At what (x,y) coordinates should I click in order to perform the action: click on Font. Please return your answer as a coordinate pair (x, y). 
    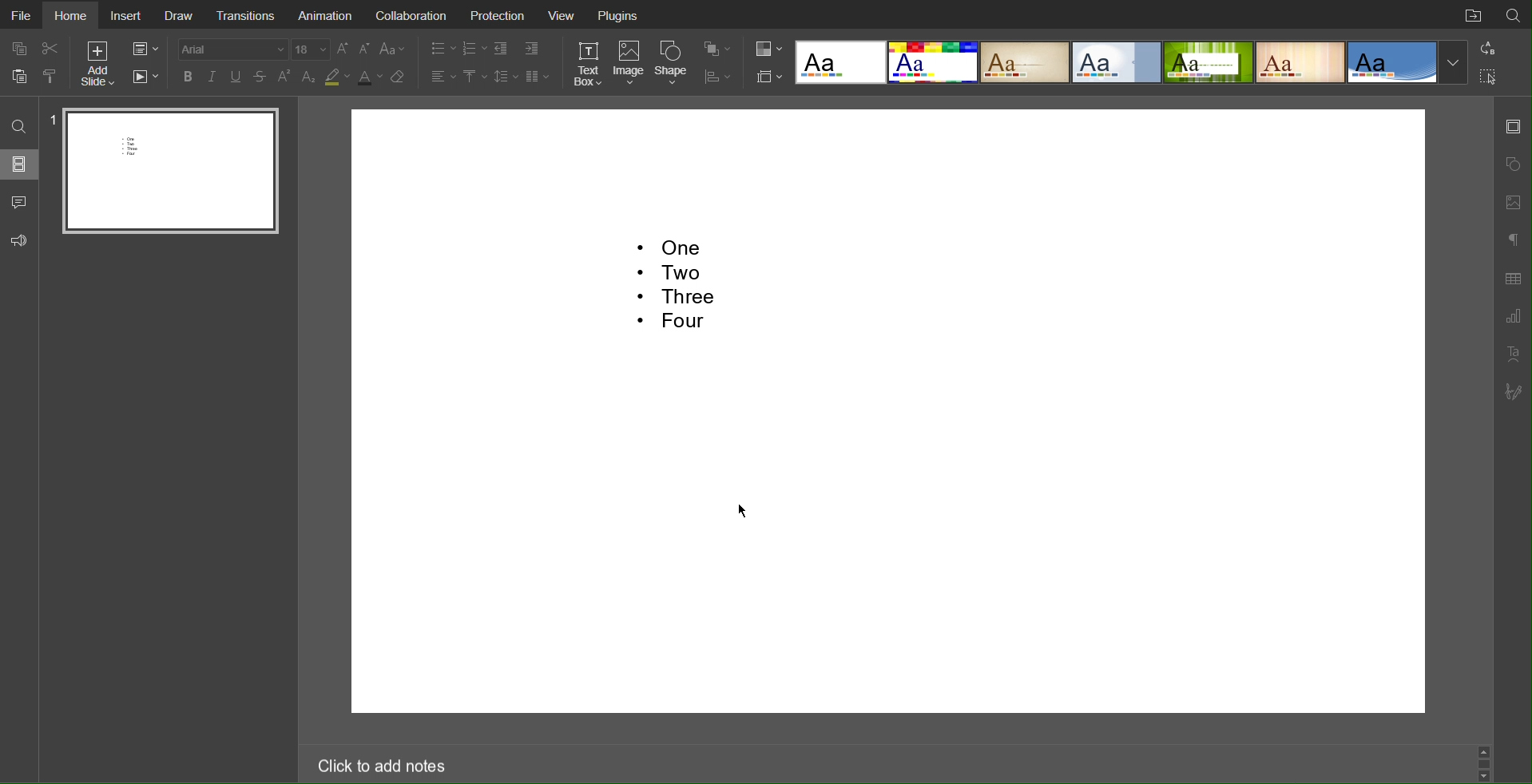
    Looking at the image, I should click on (234, 49).